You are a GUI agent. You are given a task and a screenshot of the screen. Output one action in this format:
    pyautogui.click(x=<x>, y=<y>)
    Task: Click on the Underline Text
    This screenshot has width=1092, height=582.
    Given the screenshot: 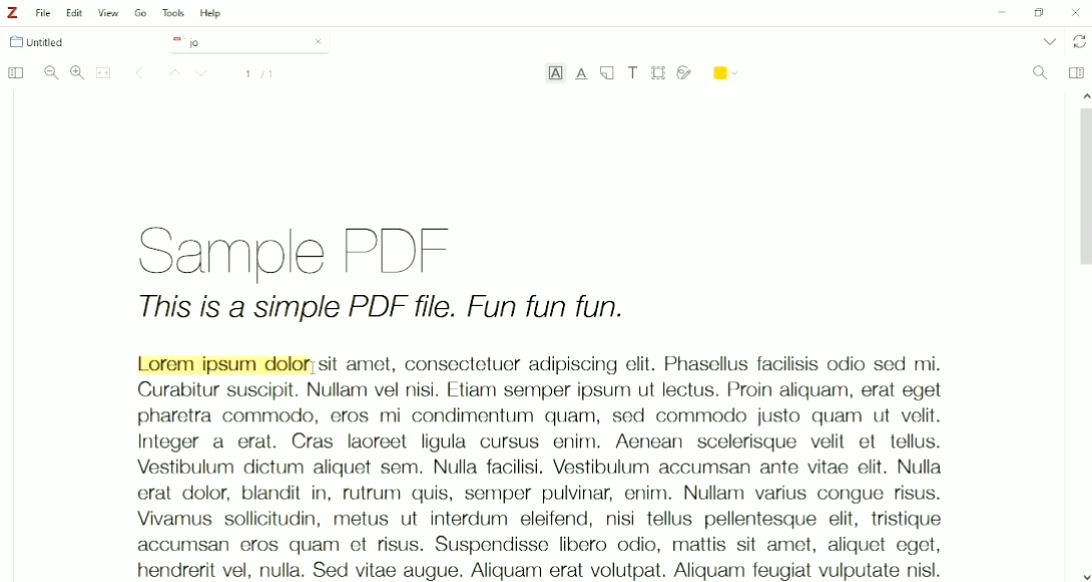 What is the action you would take?
    pyautogui.click(x=582, y=74)
    